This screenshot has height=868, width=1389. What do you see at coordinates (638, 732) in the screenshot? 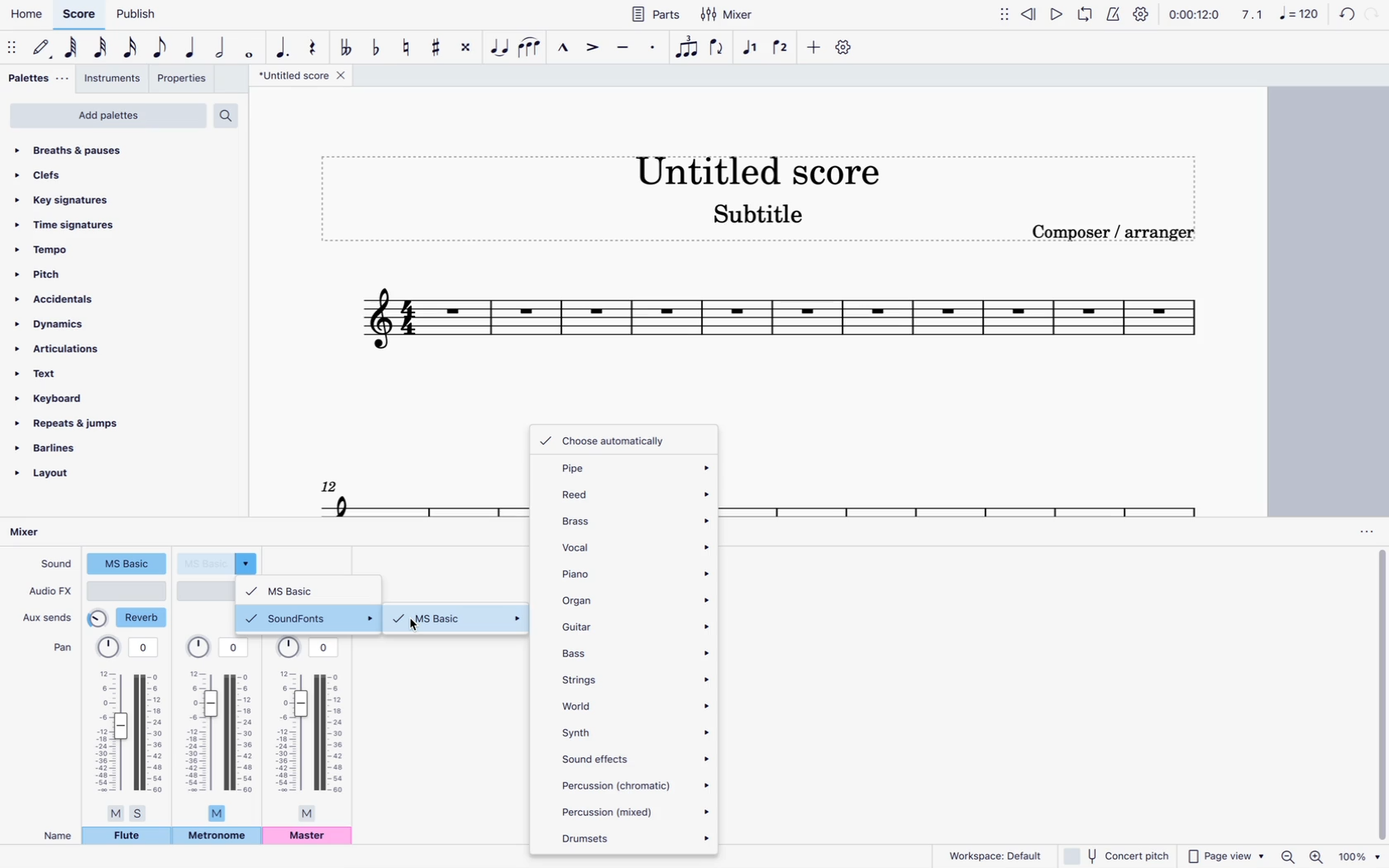
I see `synth` at bounding box center [638, 732].